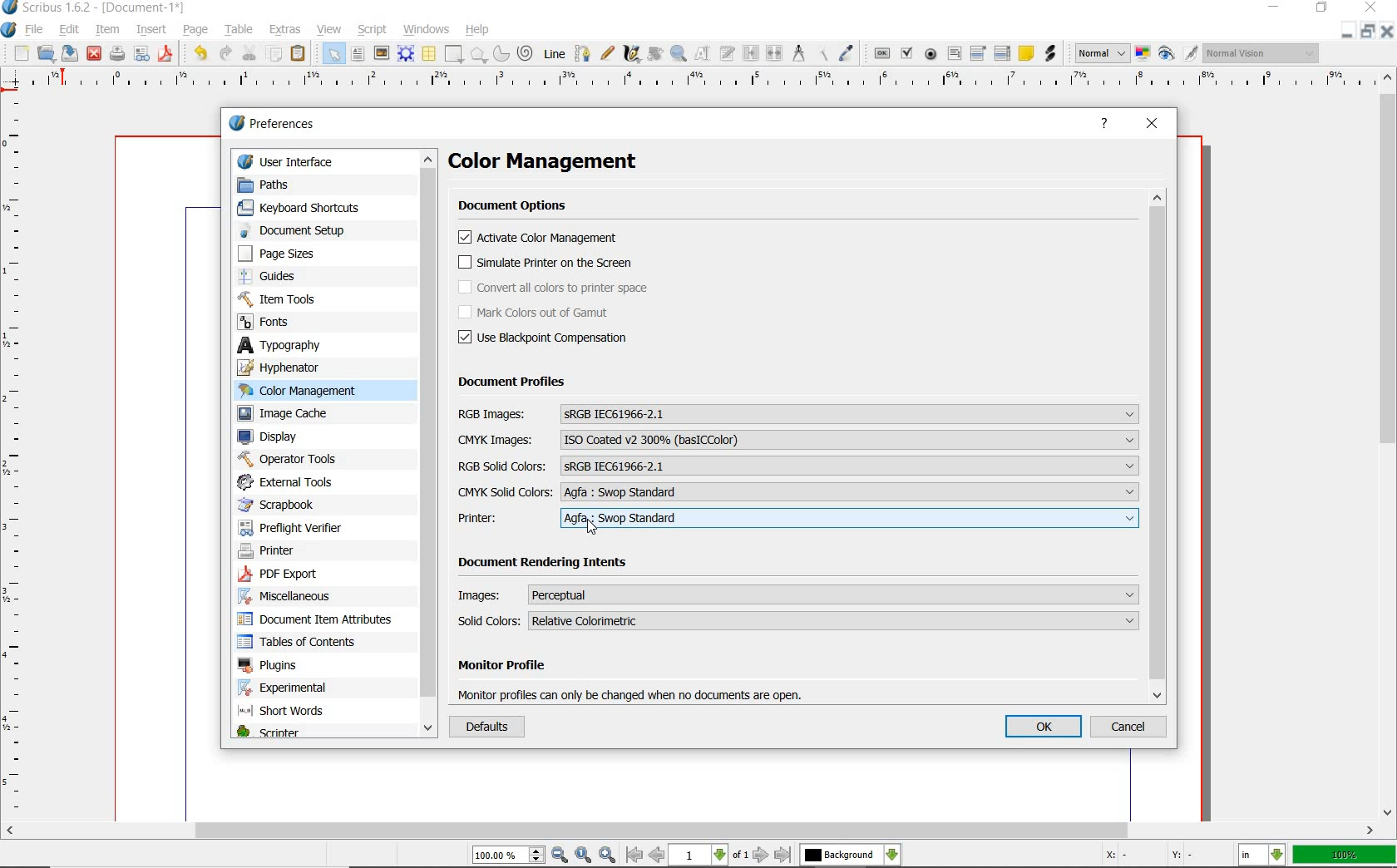  I want to click on document item attributes, so click(318, 620).